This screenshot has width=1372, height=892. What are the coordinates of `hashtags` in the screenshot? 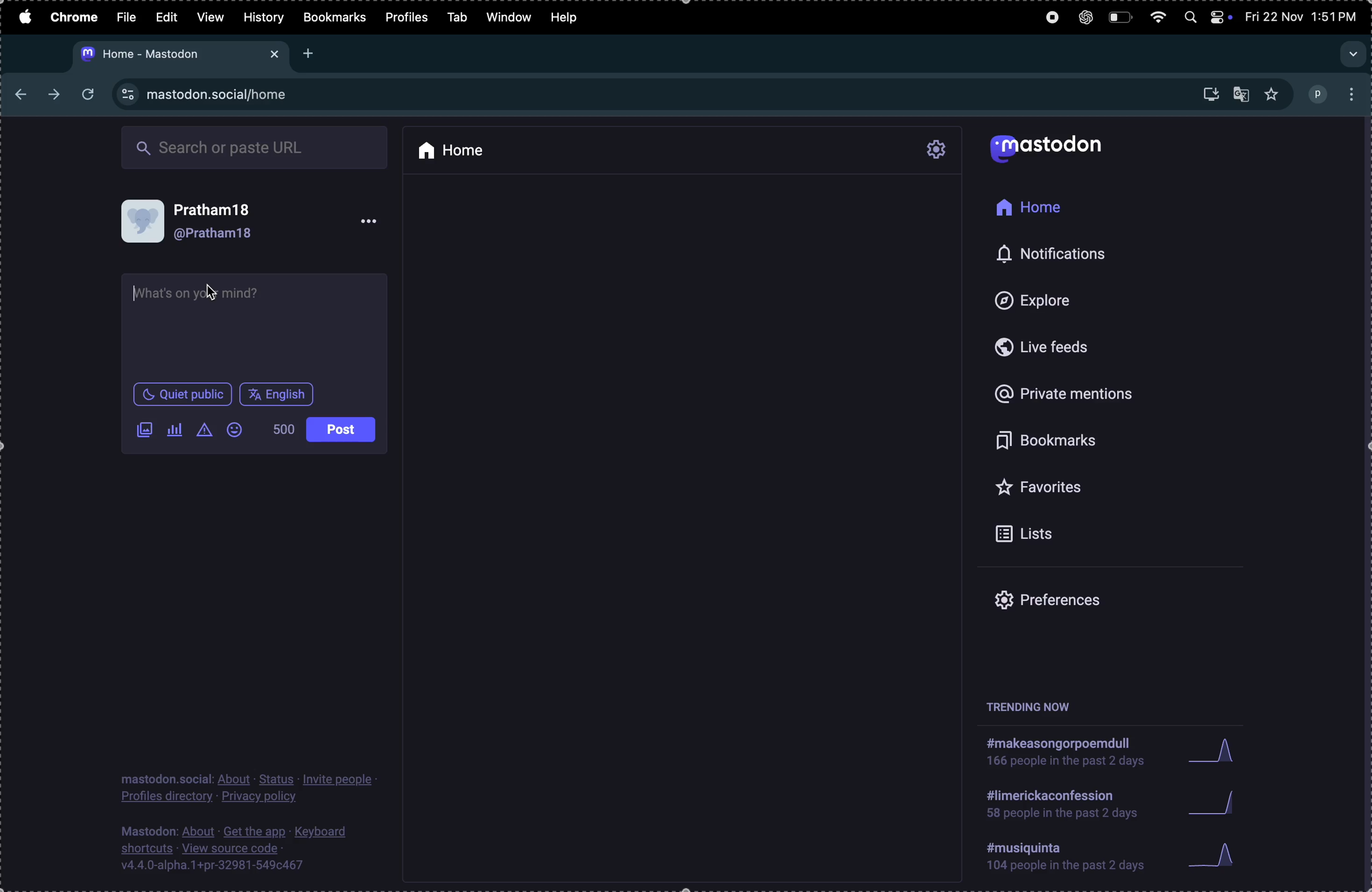 It's located at (1063, 856).